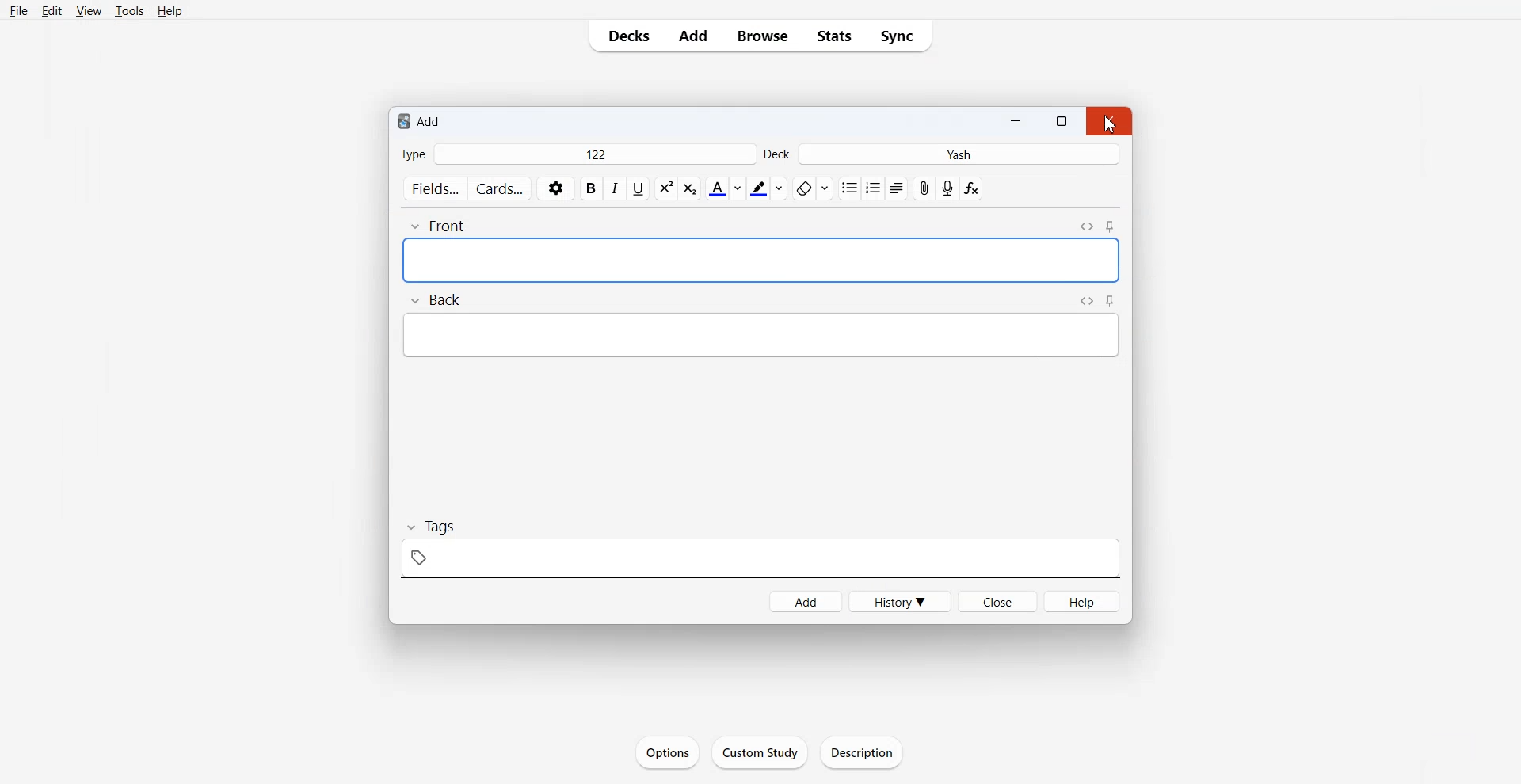 The image size is (1521, 784). I want to click on resize, so click(1061, 120).